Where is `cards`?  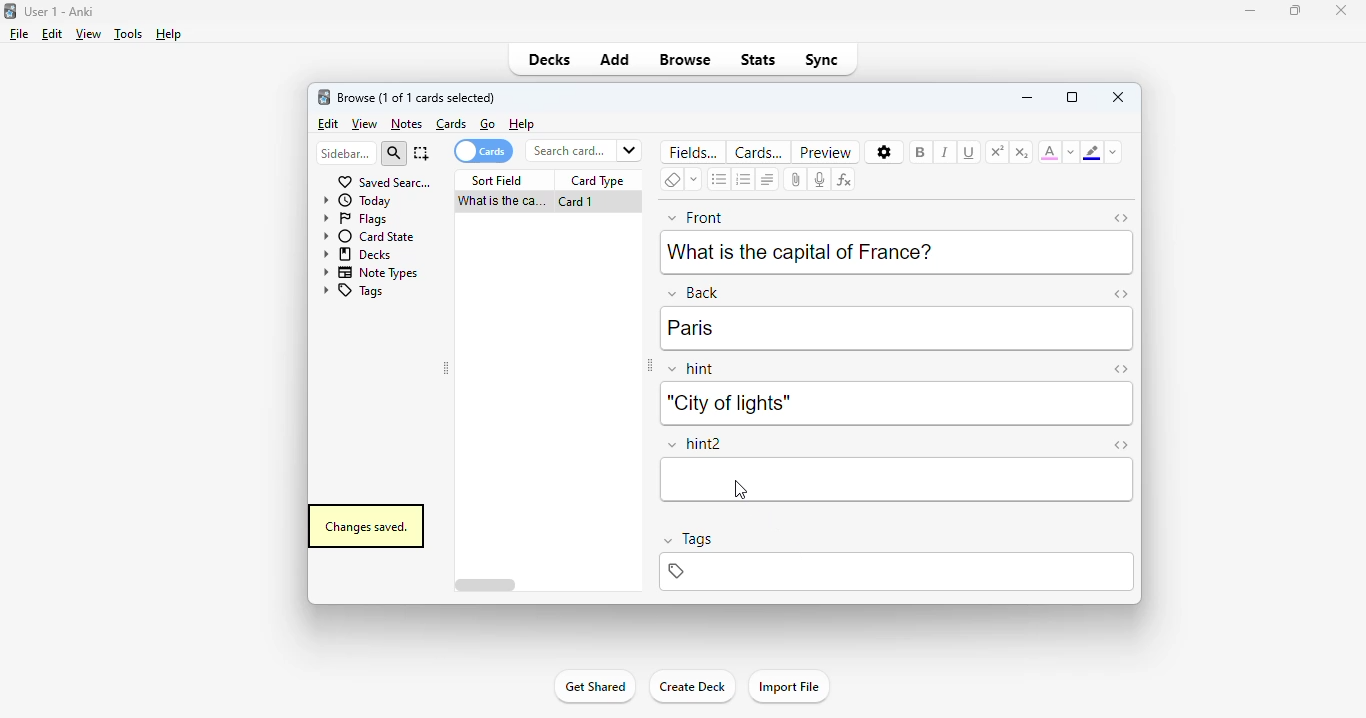 cards is located at coordinates (452, 124).